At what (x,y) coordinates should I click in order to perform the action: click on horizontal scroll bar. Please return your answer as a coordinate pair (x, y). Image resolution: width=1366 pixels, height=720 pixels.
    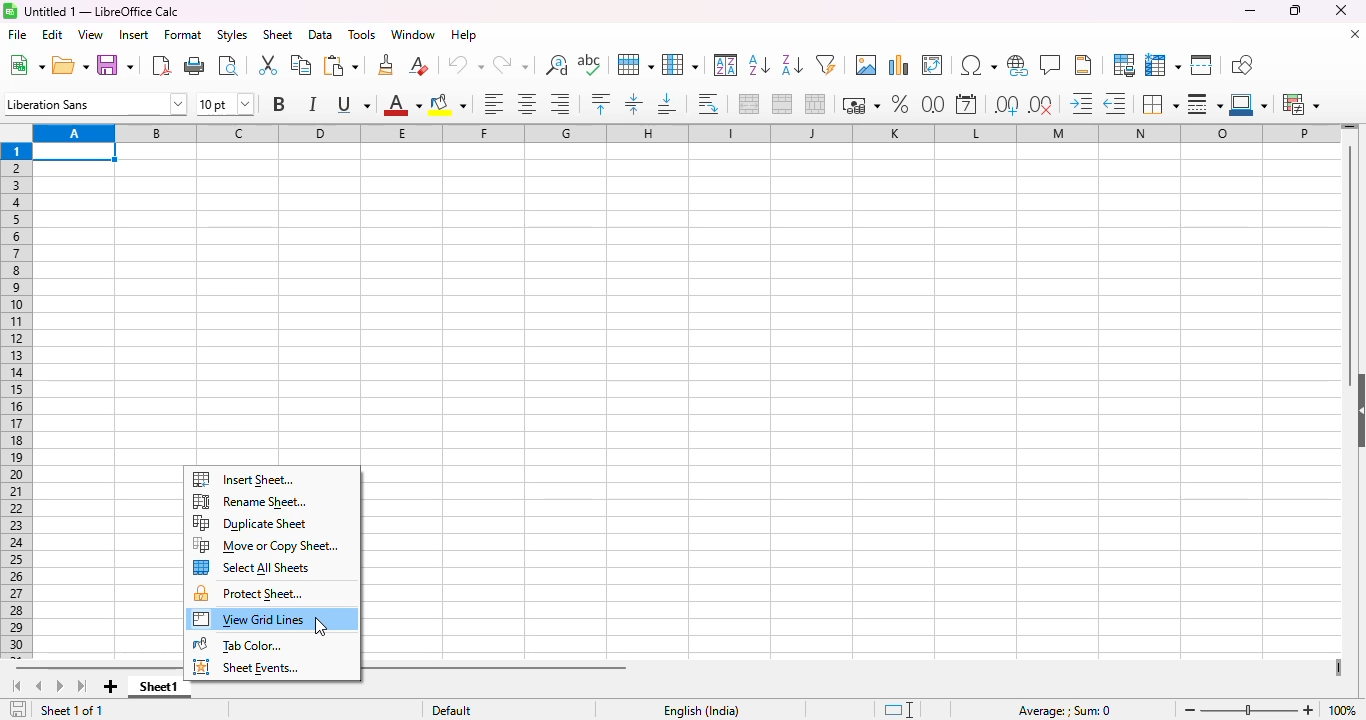
    Looking at the image, I should click on (498, 668).